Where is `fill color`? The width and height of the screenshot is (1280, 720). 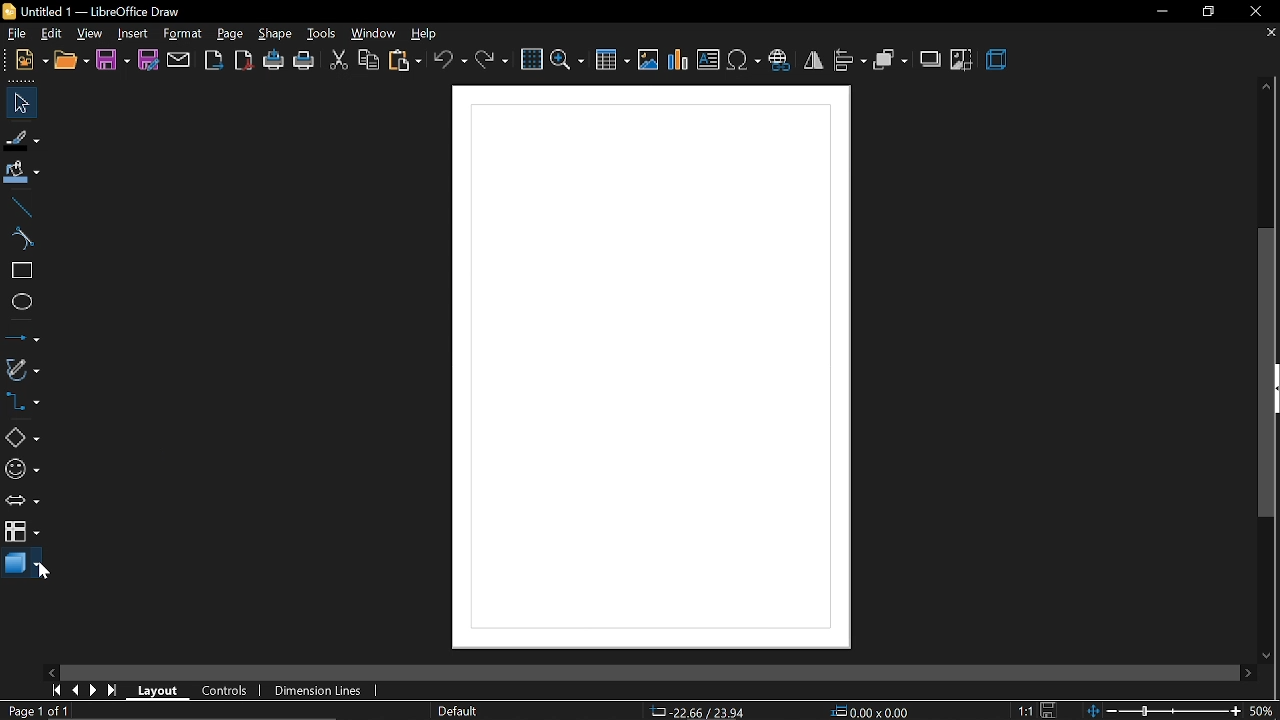
fill color is located at coordinates (24, 173).